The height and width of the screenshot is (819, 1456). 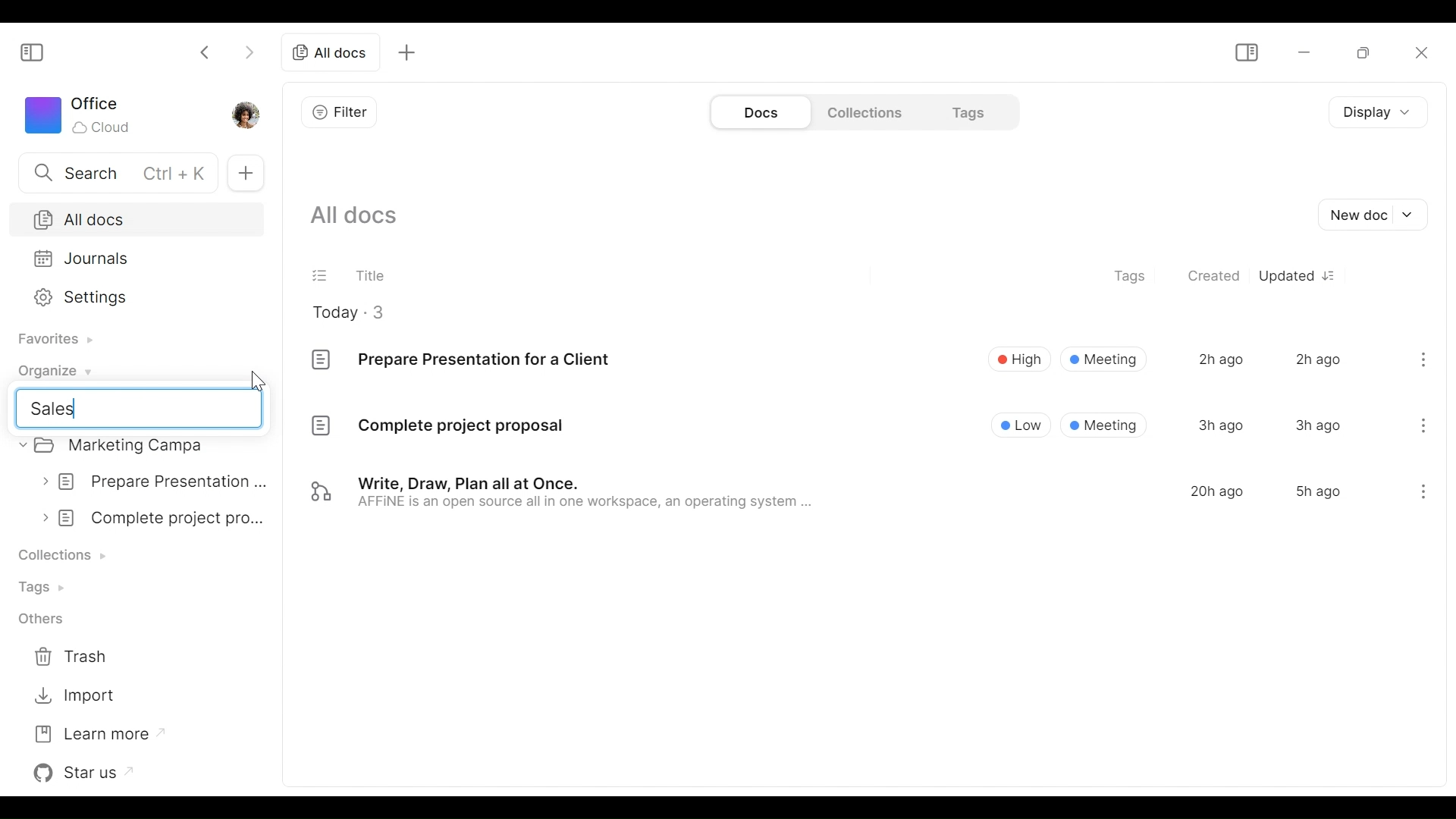 What do you see at coordinates (126, 447) in the screenshot?
I see `Marketing campa` at bounding box center [126, 447].